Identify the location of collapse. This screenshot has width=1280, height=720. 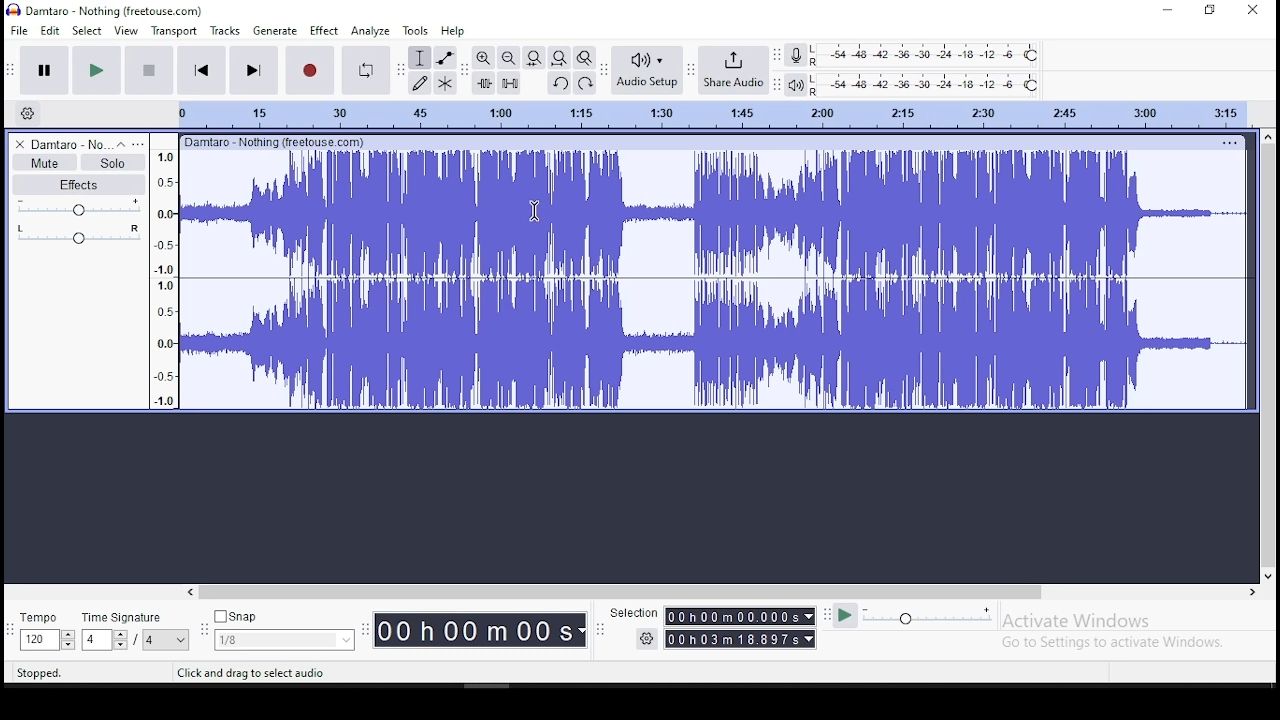
(121, 143).